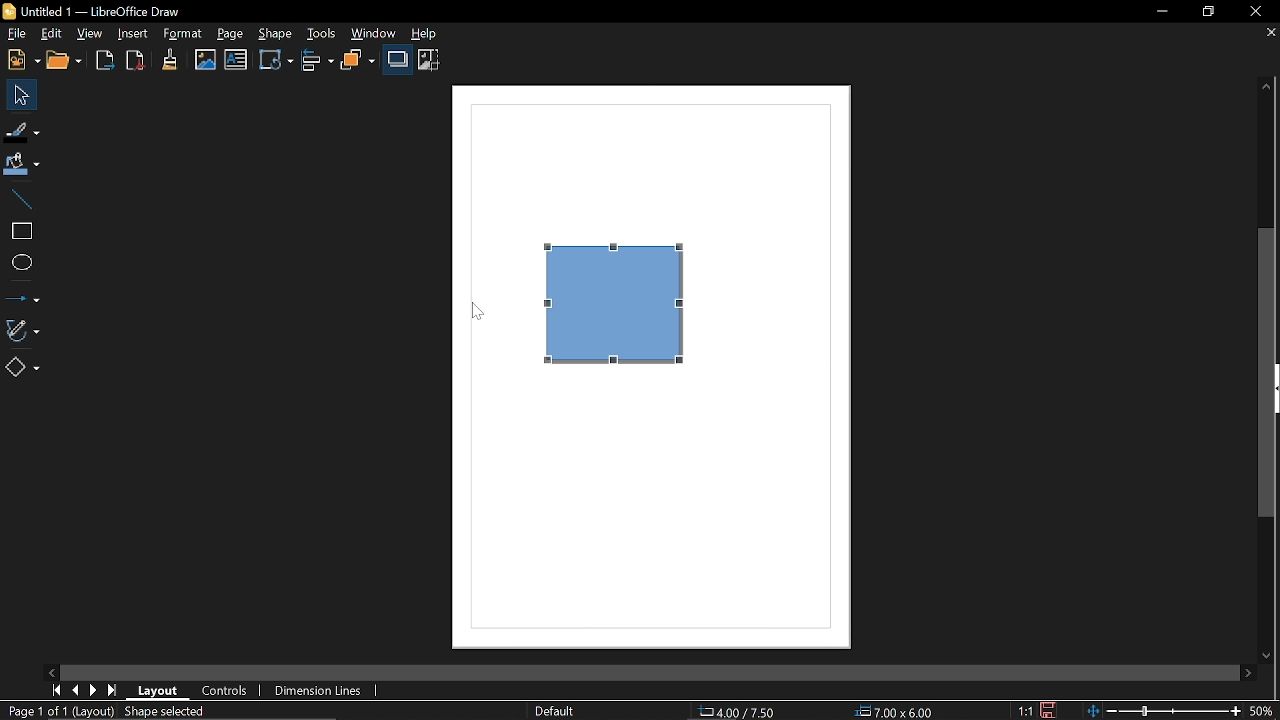  Describe the element at coordinates (24, 367) in the screenshot. I see `Basic shapes` at that location.